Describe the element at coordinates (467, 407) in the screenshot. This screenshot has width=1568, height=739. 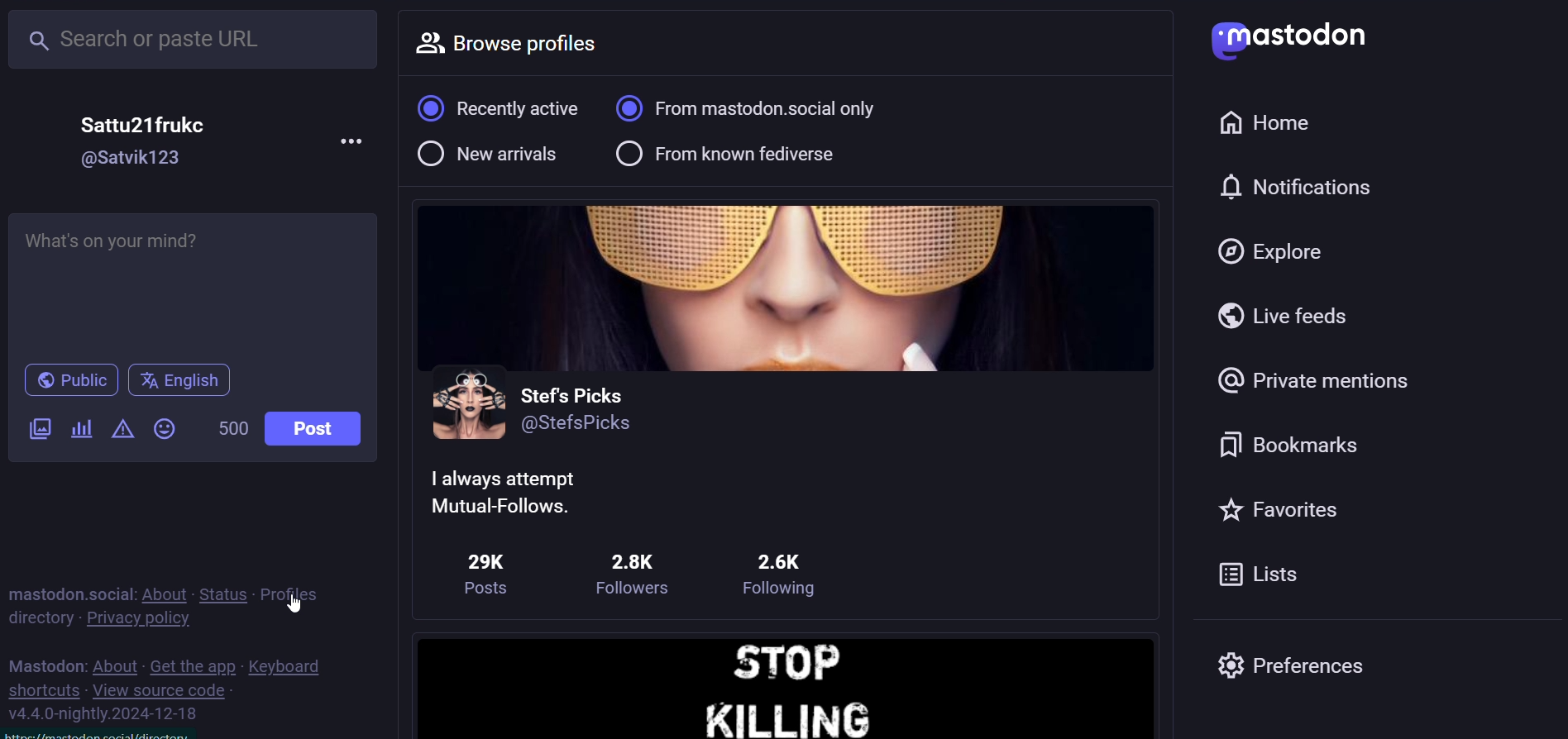
I see `profile picture` at that location.